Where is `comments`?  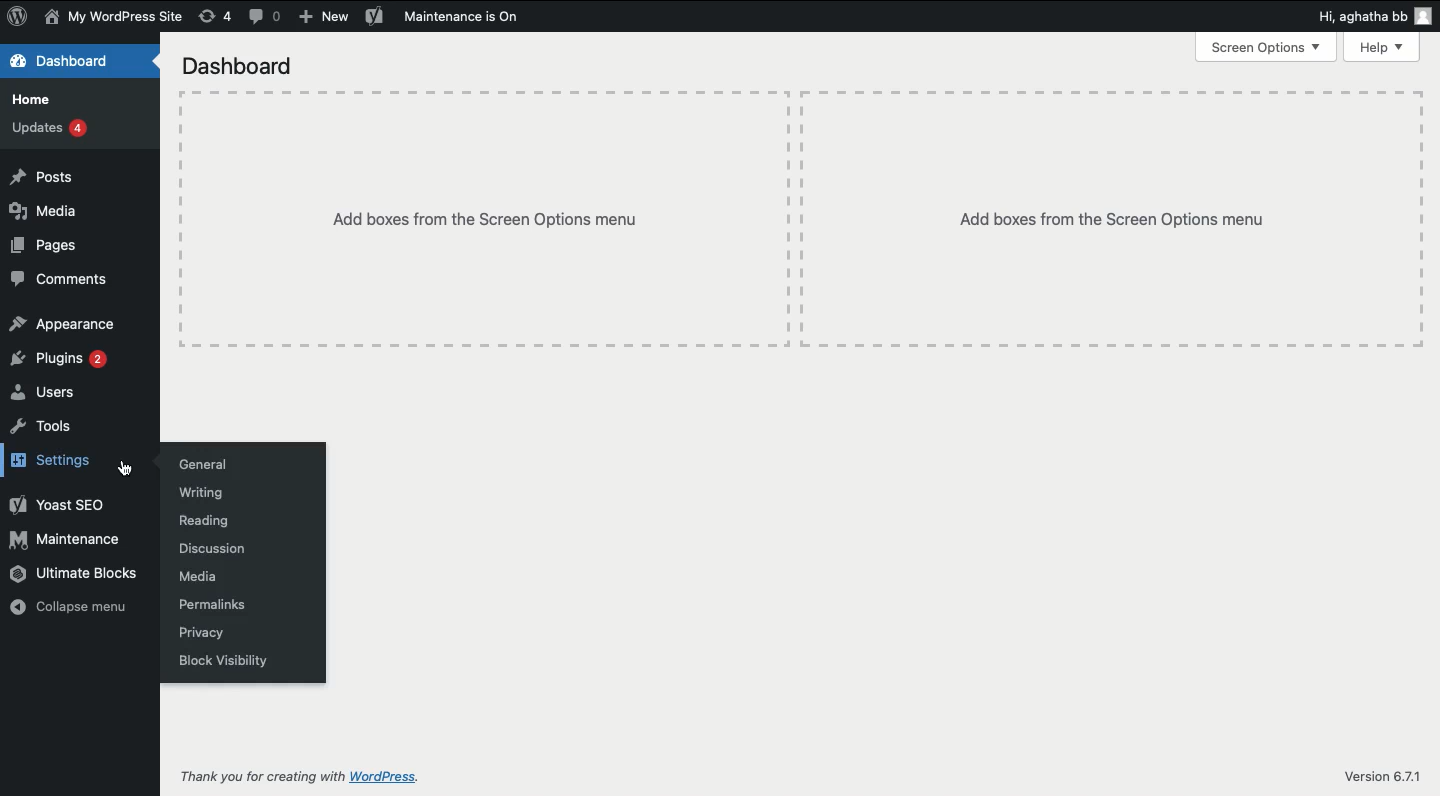
comments is located at coordinates (62, 279).